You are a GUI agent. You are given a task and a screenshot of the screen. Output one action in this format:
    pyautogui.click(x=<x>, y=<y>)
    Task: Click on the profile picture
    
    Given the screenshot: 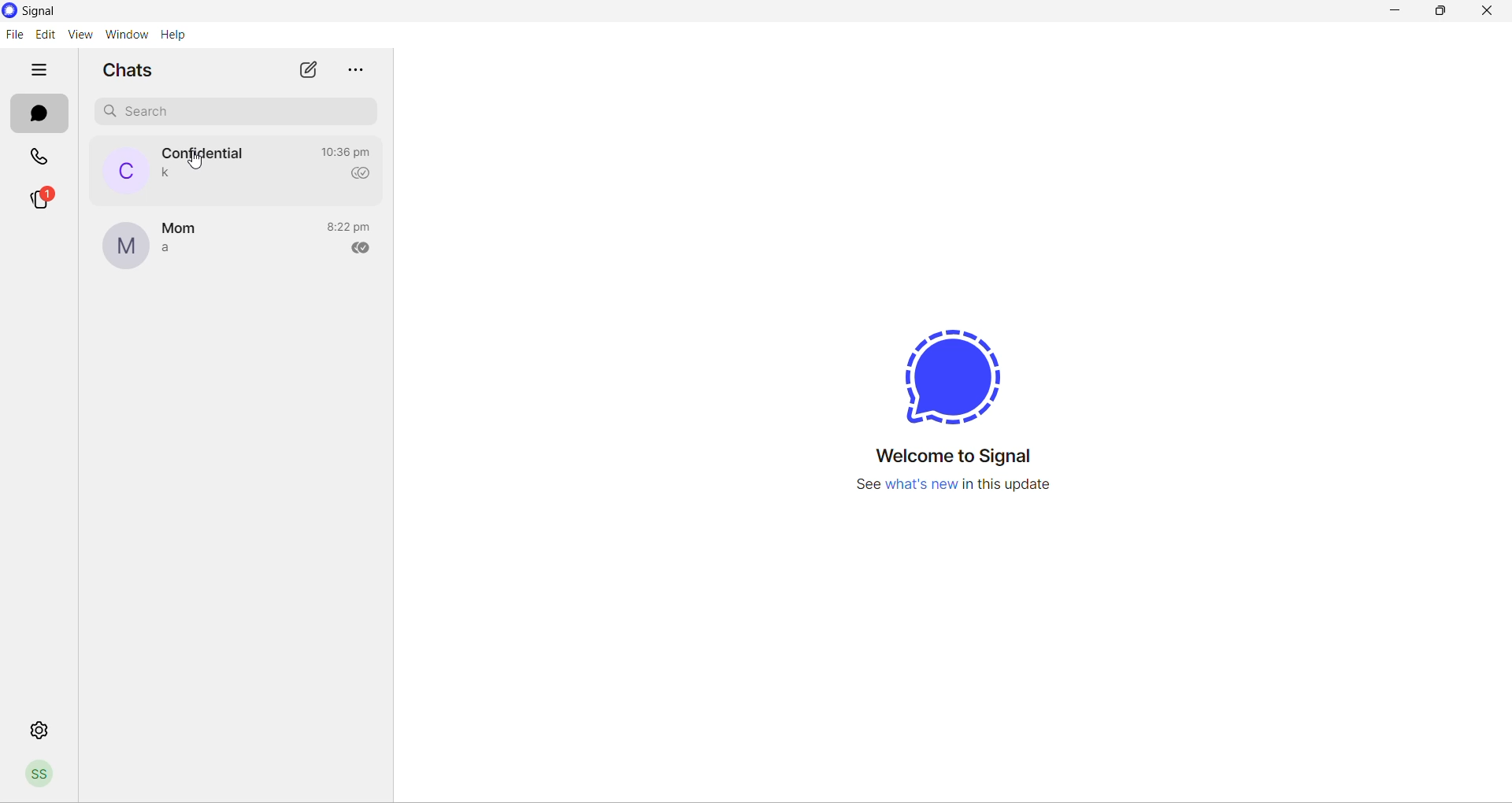 What is the action you would take?
    pyautogui.click(x=122, y=170)
    